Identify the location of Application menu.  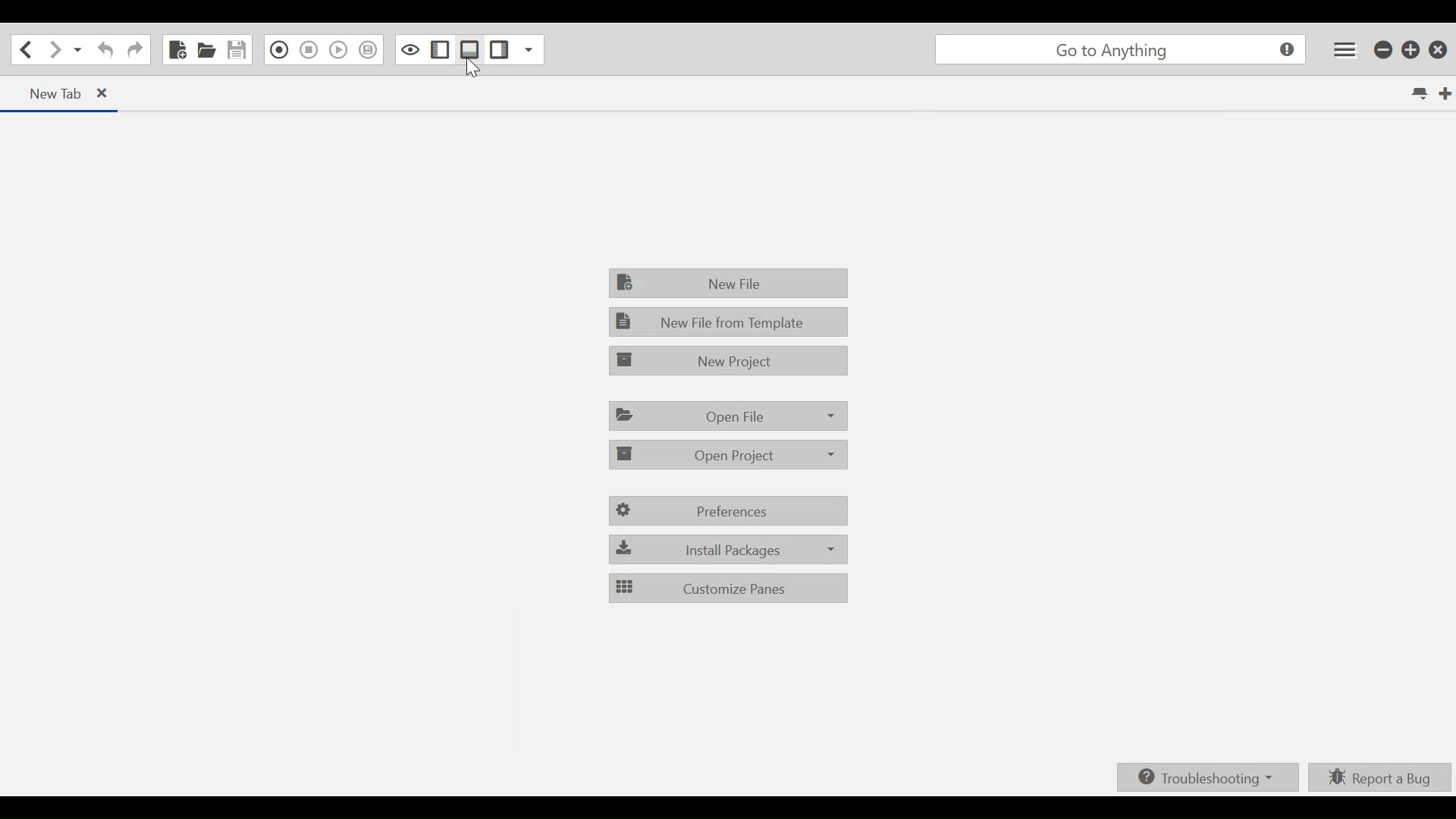
(1343, 48).